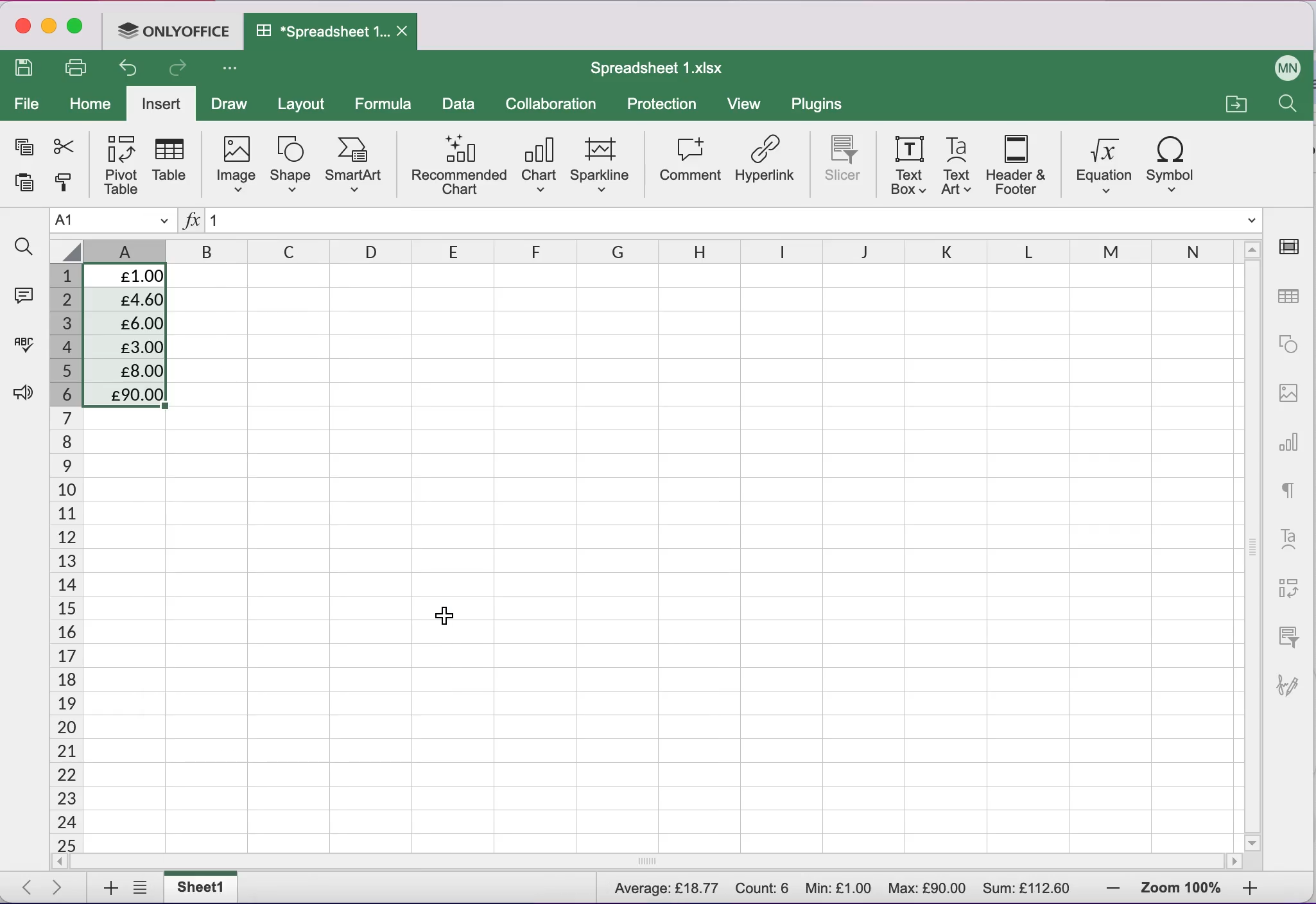 This screenshot has width=1316, height=904. What do you see at coordinates (1290, 688) in the screenshot?
I see `signature` at bounding box center [1290, 688].